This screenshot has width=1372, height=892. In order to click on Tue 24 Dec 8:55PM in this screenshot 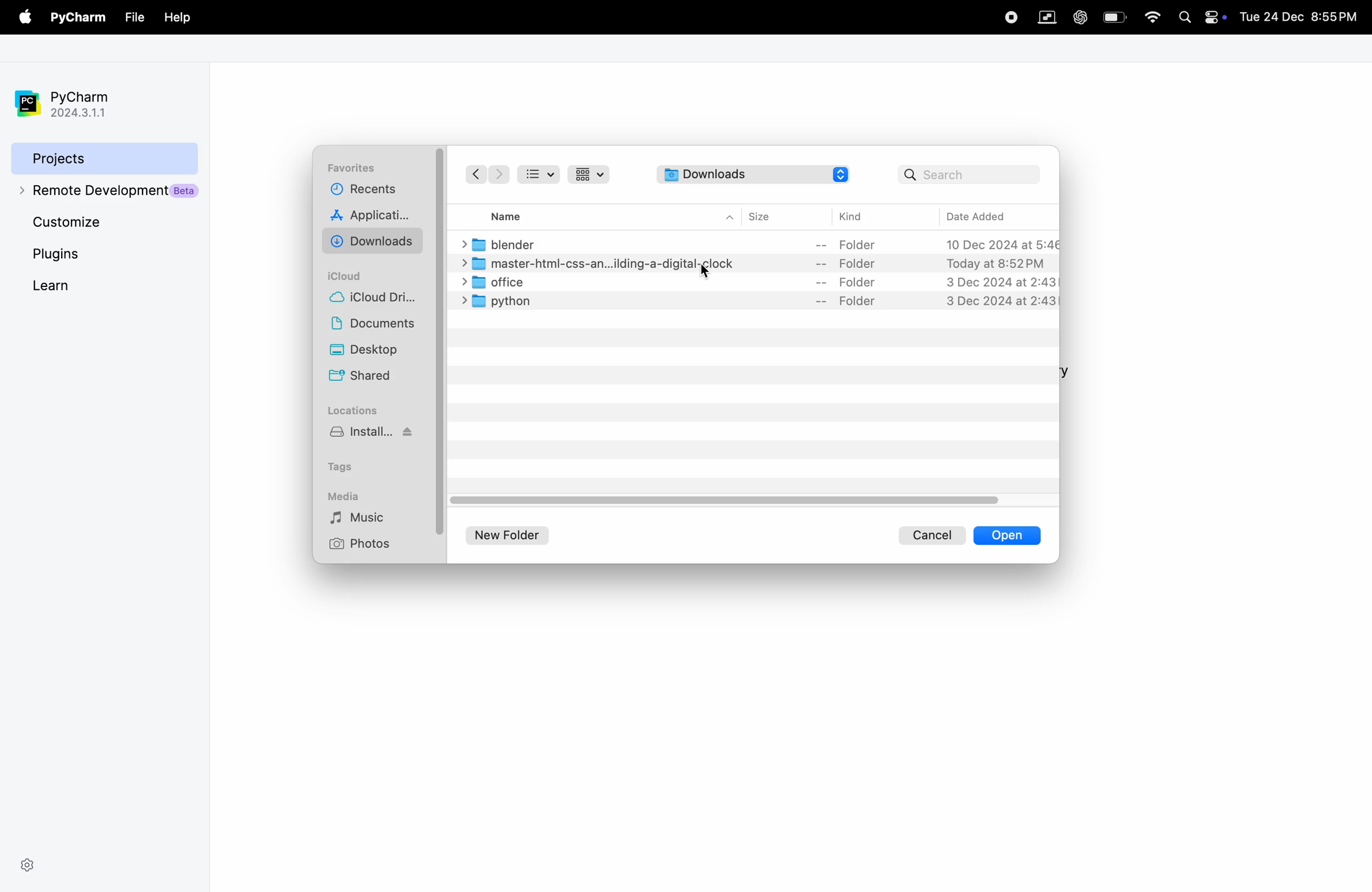, I will do `click(1302, 17)`.